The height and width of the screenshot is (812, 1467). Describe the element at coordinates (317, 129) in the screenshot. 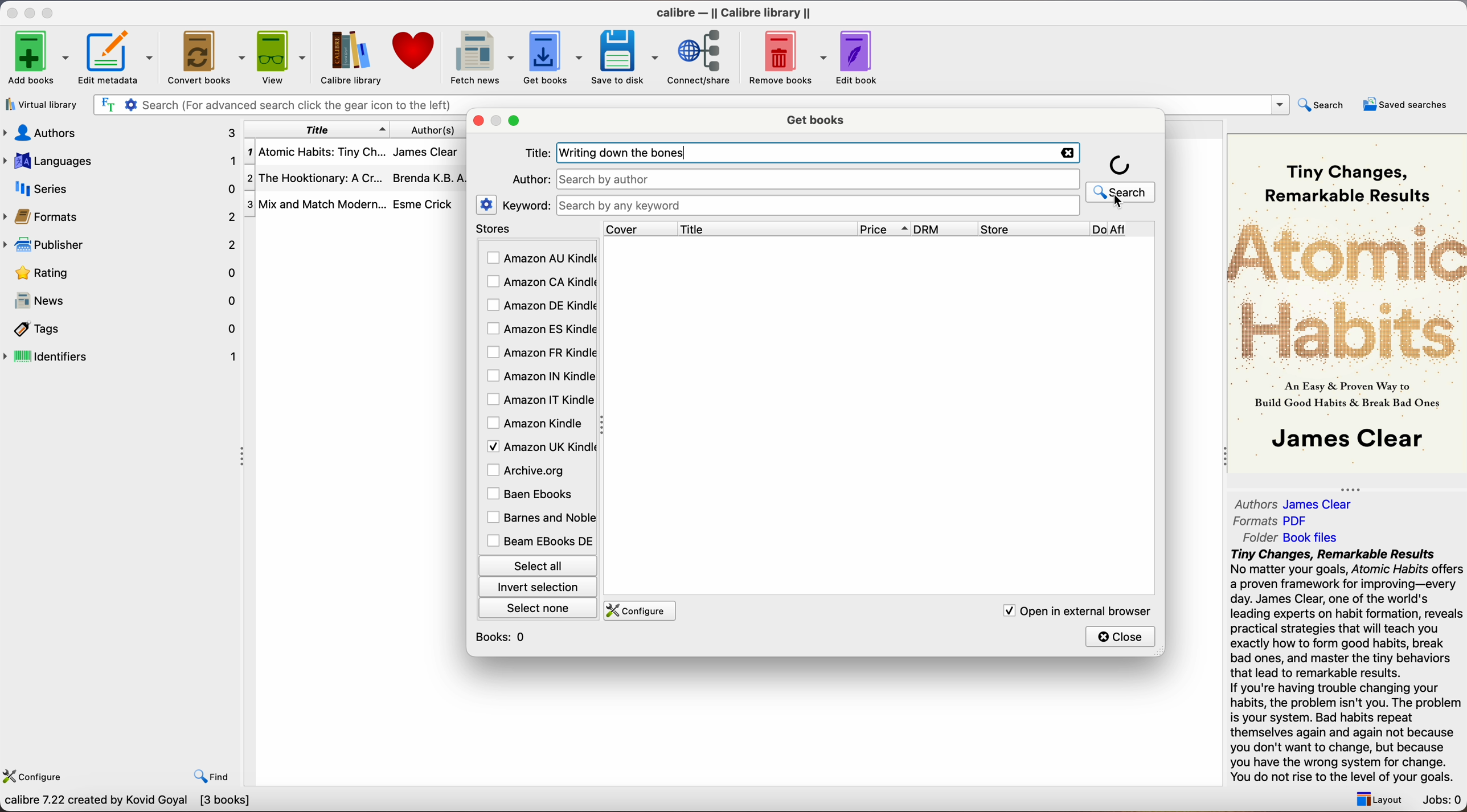

I see `title` at that location.